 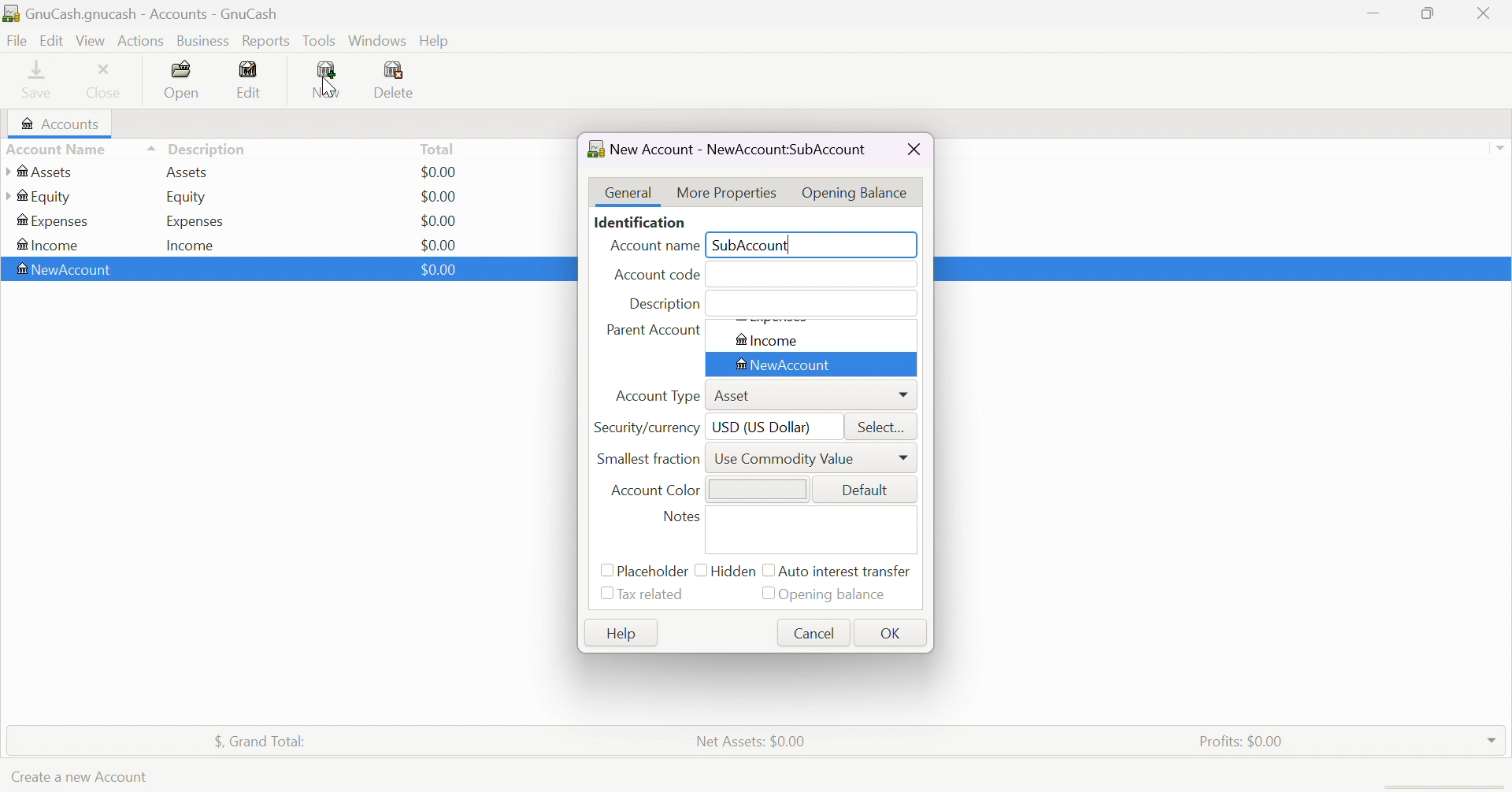 I want to click on Expenses, so click(x=196, y=222).